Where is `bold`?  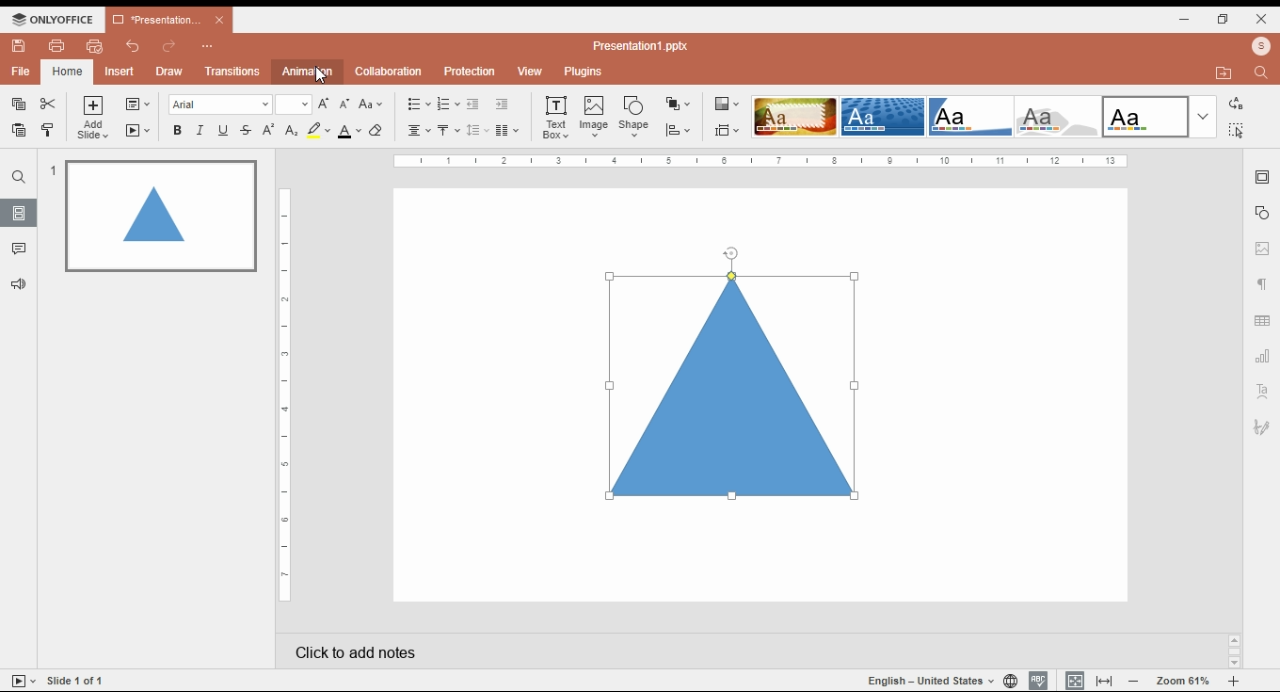
bold is located at coordinates (178, 130).